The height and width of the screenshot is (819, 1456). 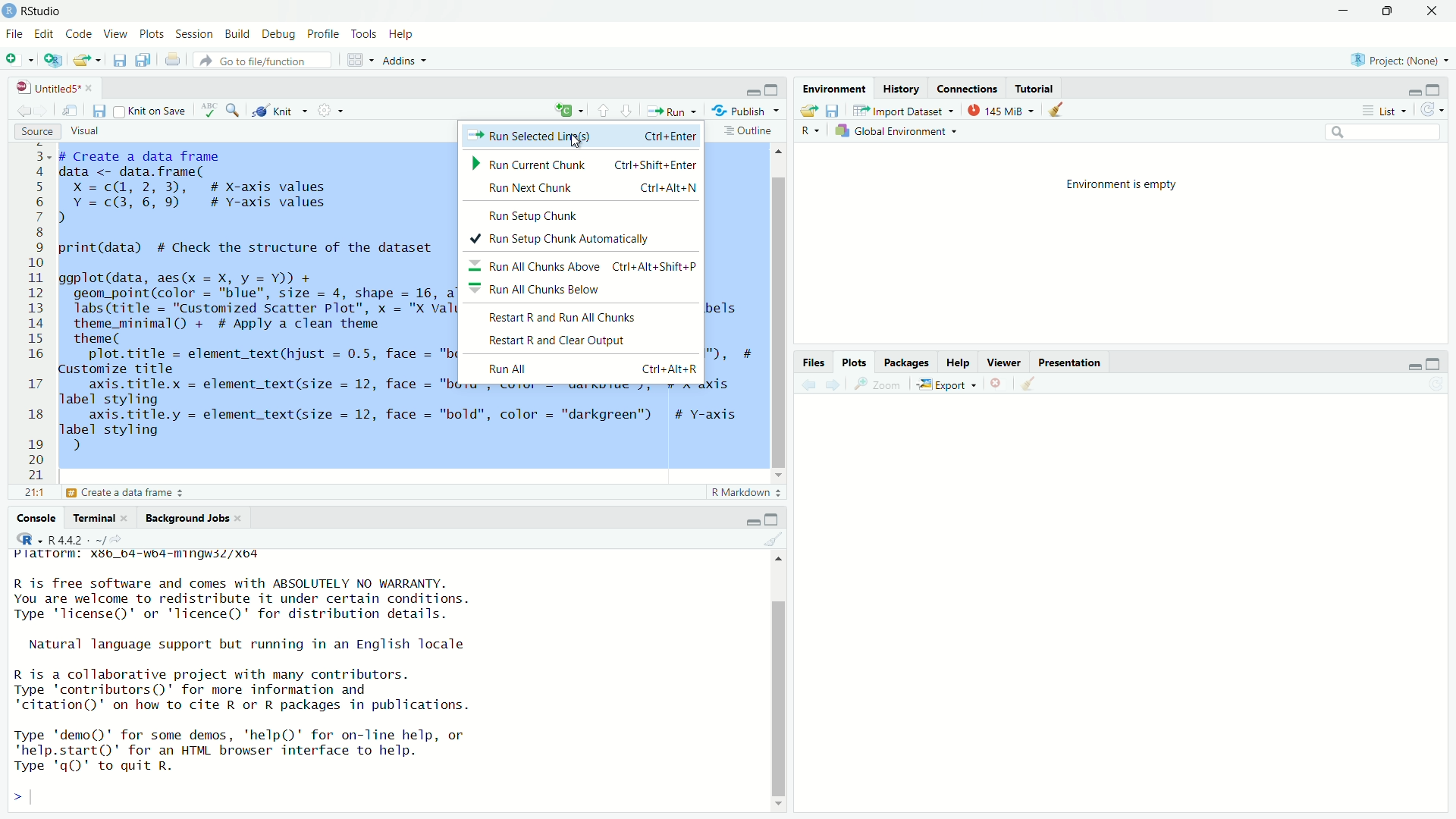 What do you see at coordinates (1434, 365) in the screenshot?
I see `Maximize` at bounding box center [1434, 365].